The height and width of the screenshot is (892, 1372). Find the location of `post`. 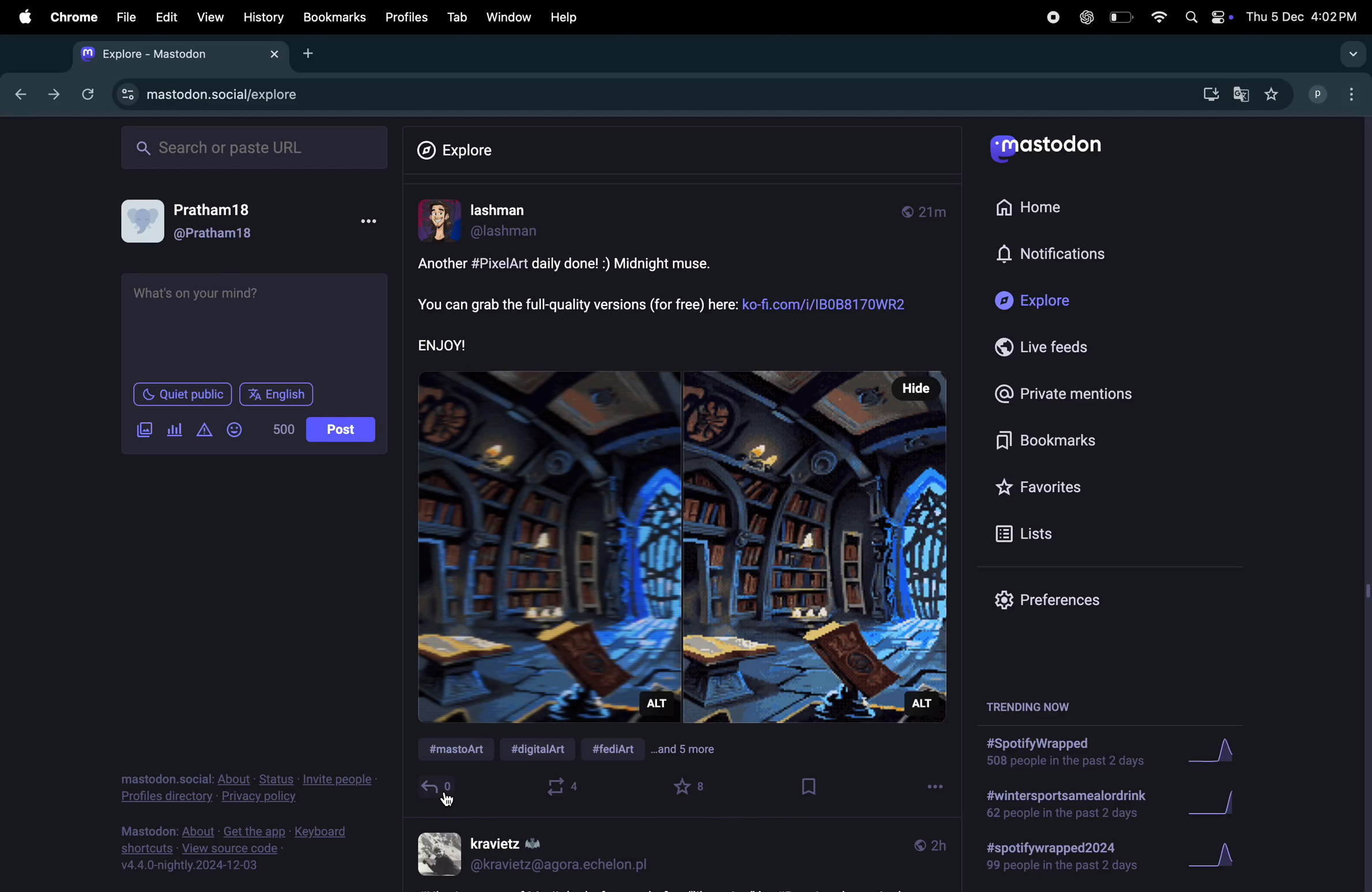

post is located at coordinates (344, 429).